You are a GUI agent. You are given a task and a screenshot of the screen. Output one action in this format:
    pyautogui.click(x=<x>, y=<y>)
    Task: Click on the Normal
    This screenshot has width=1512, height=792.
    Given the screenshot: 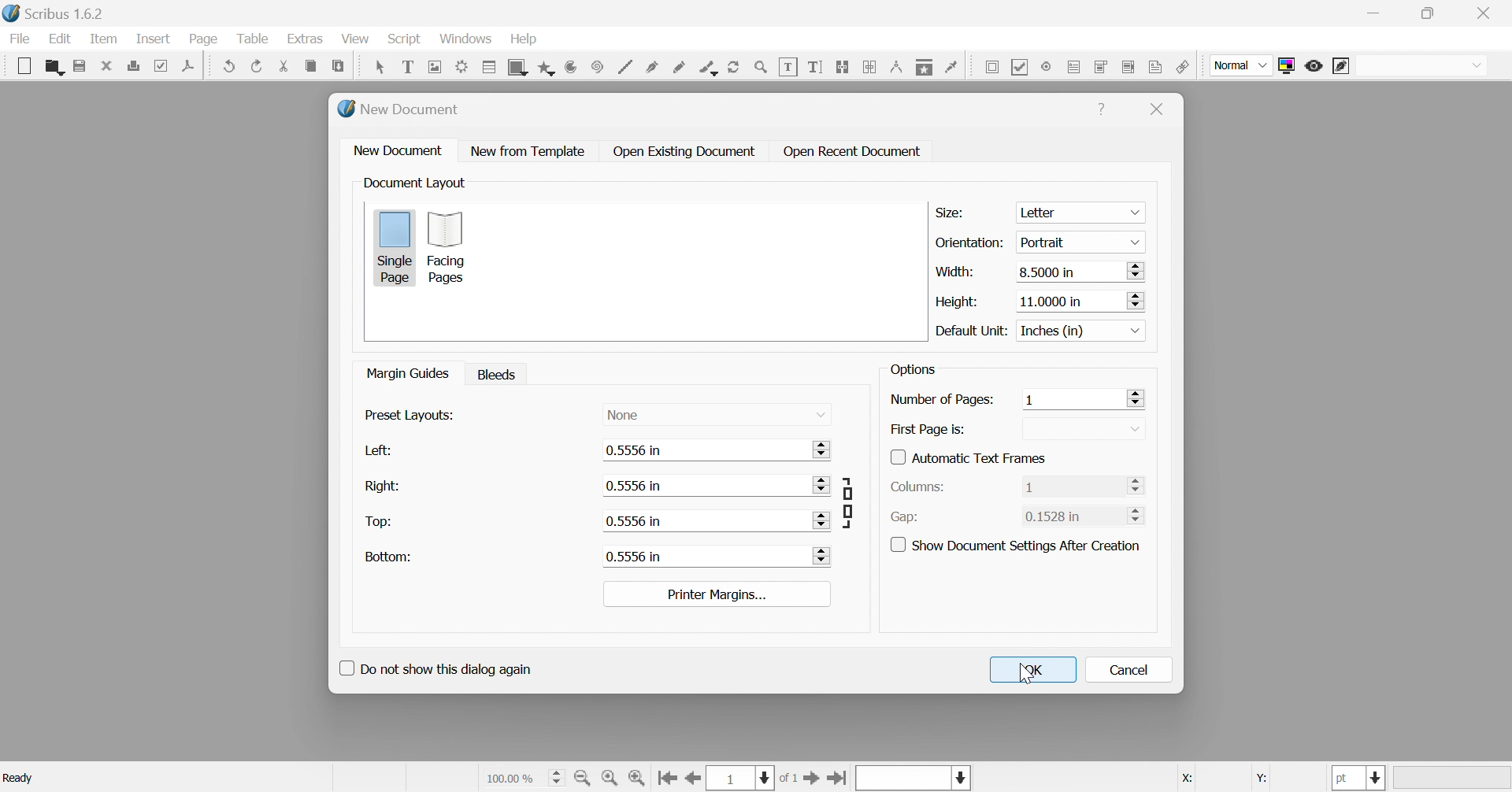 What is the action you would take?
    pyautogui.click(x=1240, y=65)
    